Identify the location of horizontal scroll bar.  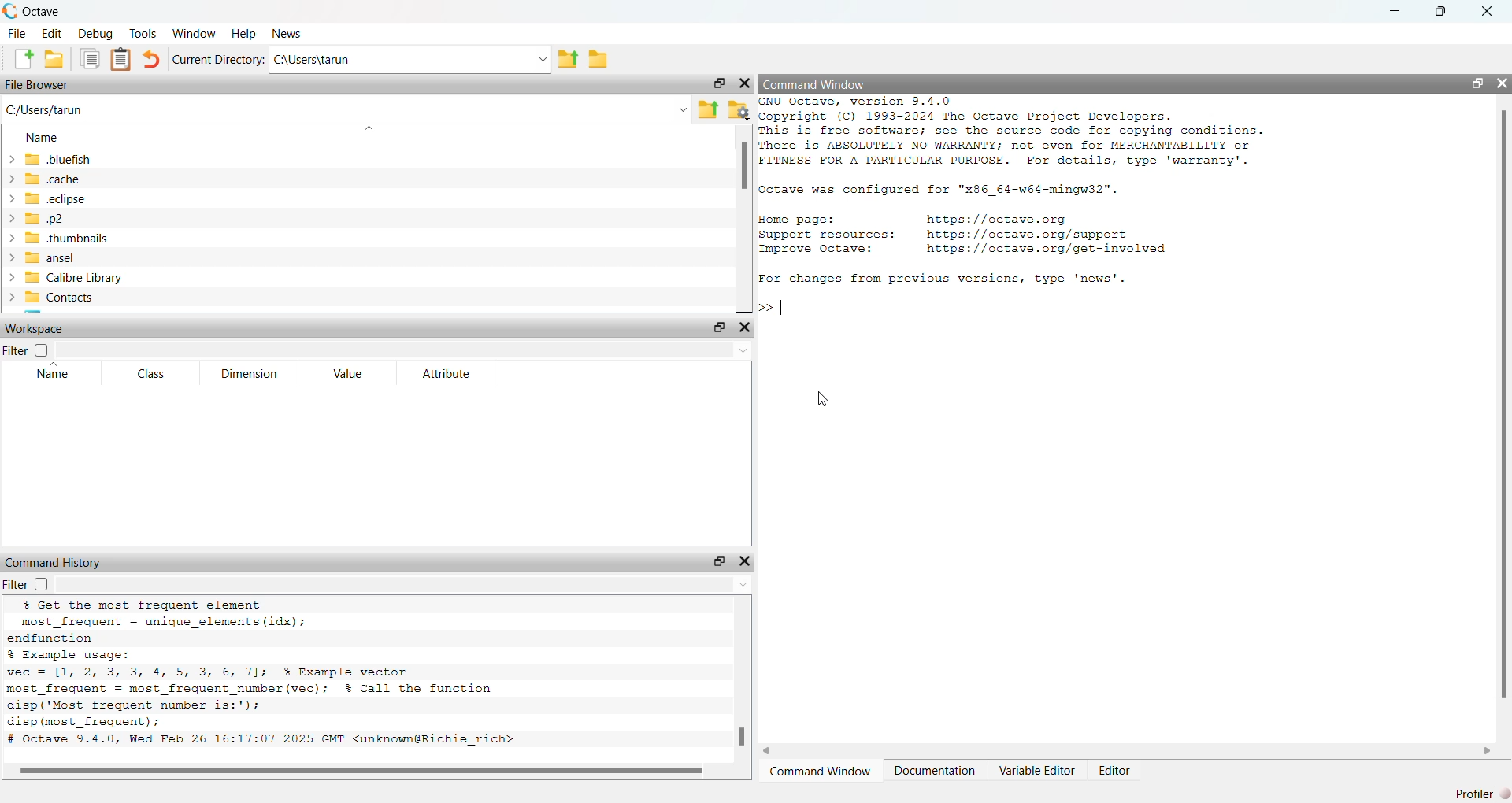
(1127, 751).